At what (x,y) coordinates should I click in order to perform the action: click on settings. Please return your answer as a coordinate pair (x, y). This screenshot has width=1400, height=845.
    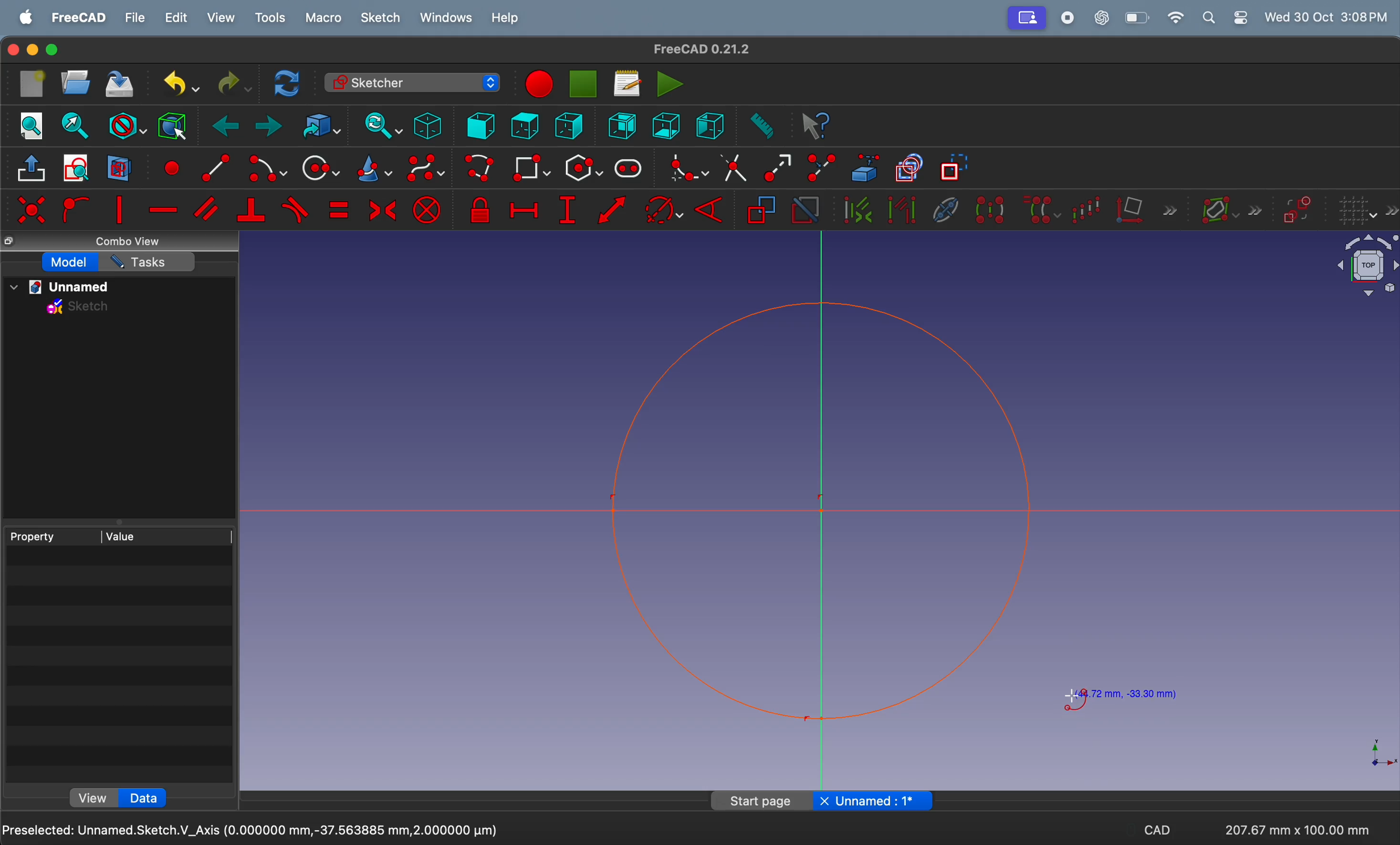
    Looking at the image, I should click on (1240, 18).